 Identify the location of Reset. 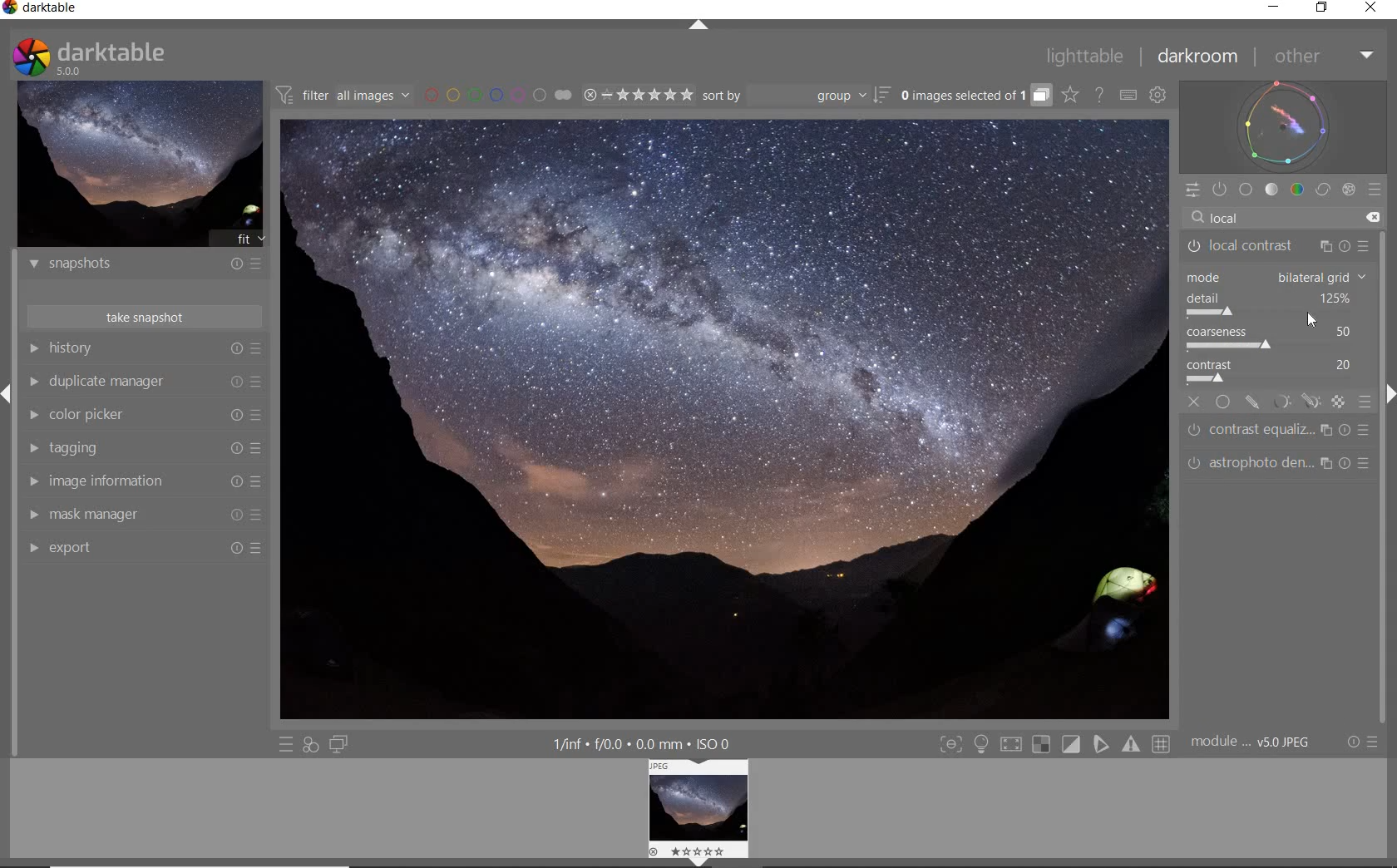
(234, 515).